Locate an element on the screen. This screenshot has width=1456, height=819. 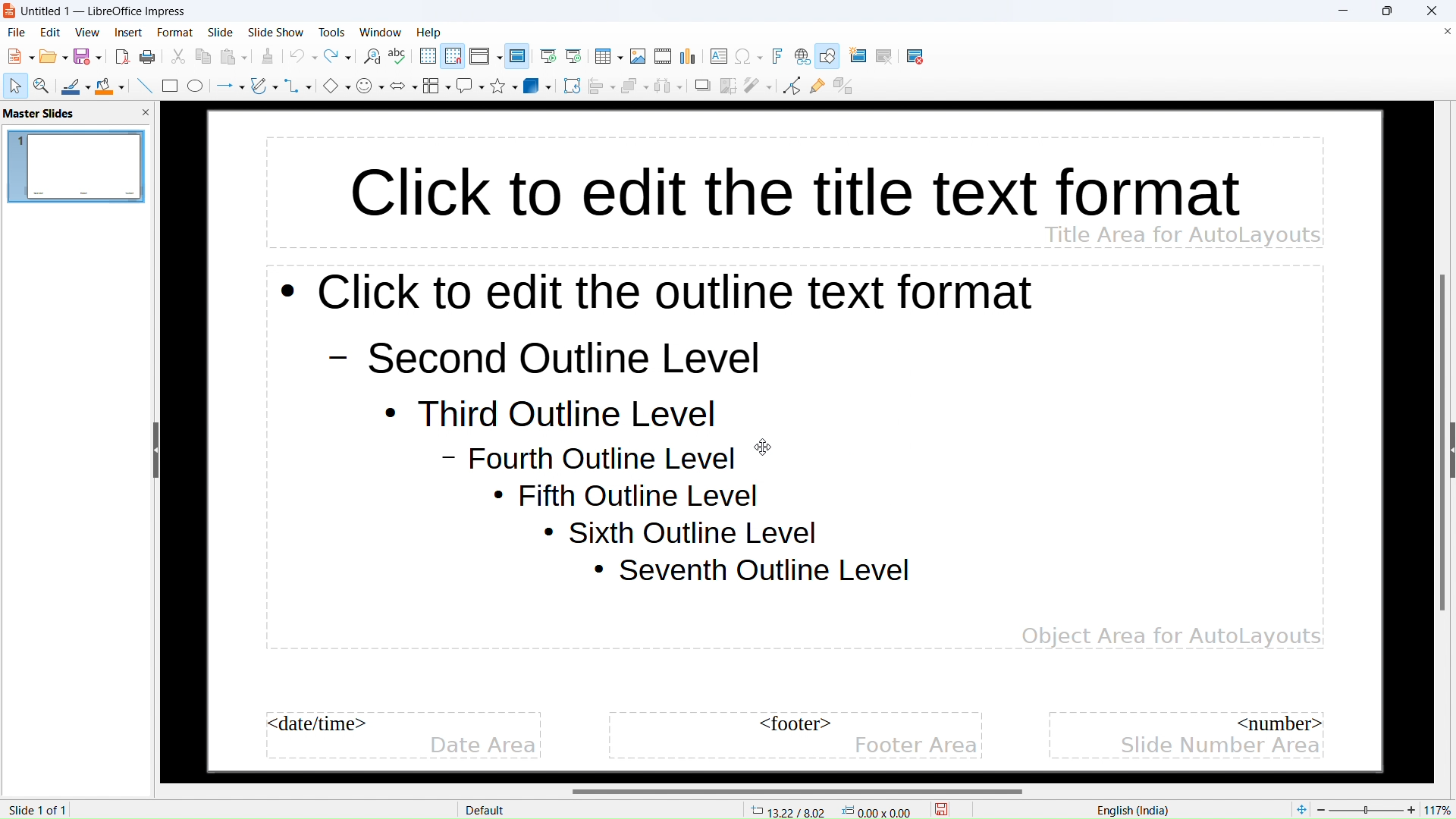
ellipse is located at coordinates (196, 85).